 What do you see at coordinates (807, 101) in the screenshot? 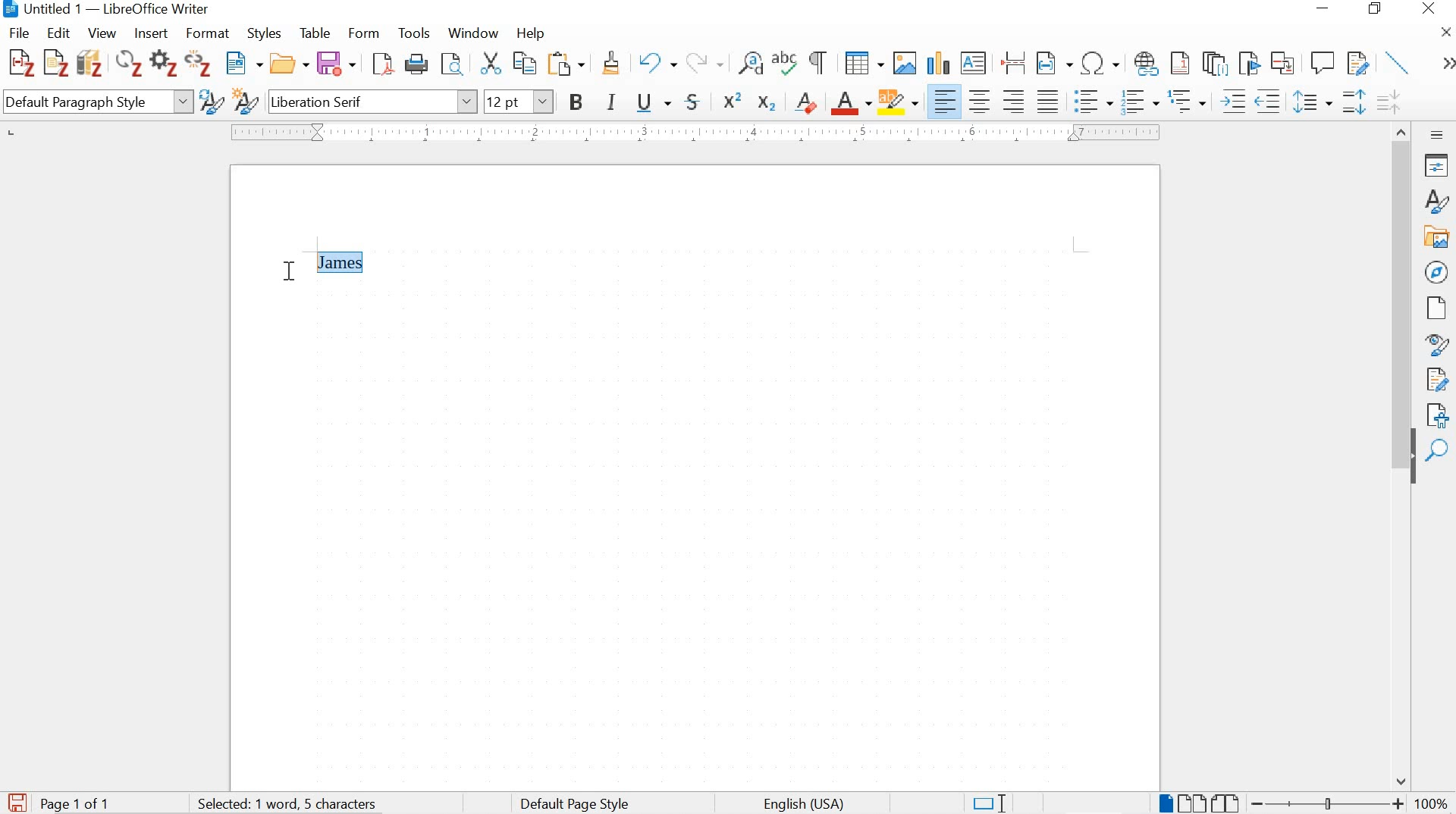
I see `clear direct formatting` at bounding box center [807, 101].